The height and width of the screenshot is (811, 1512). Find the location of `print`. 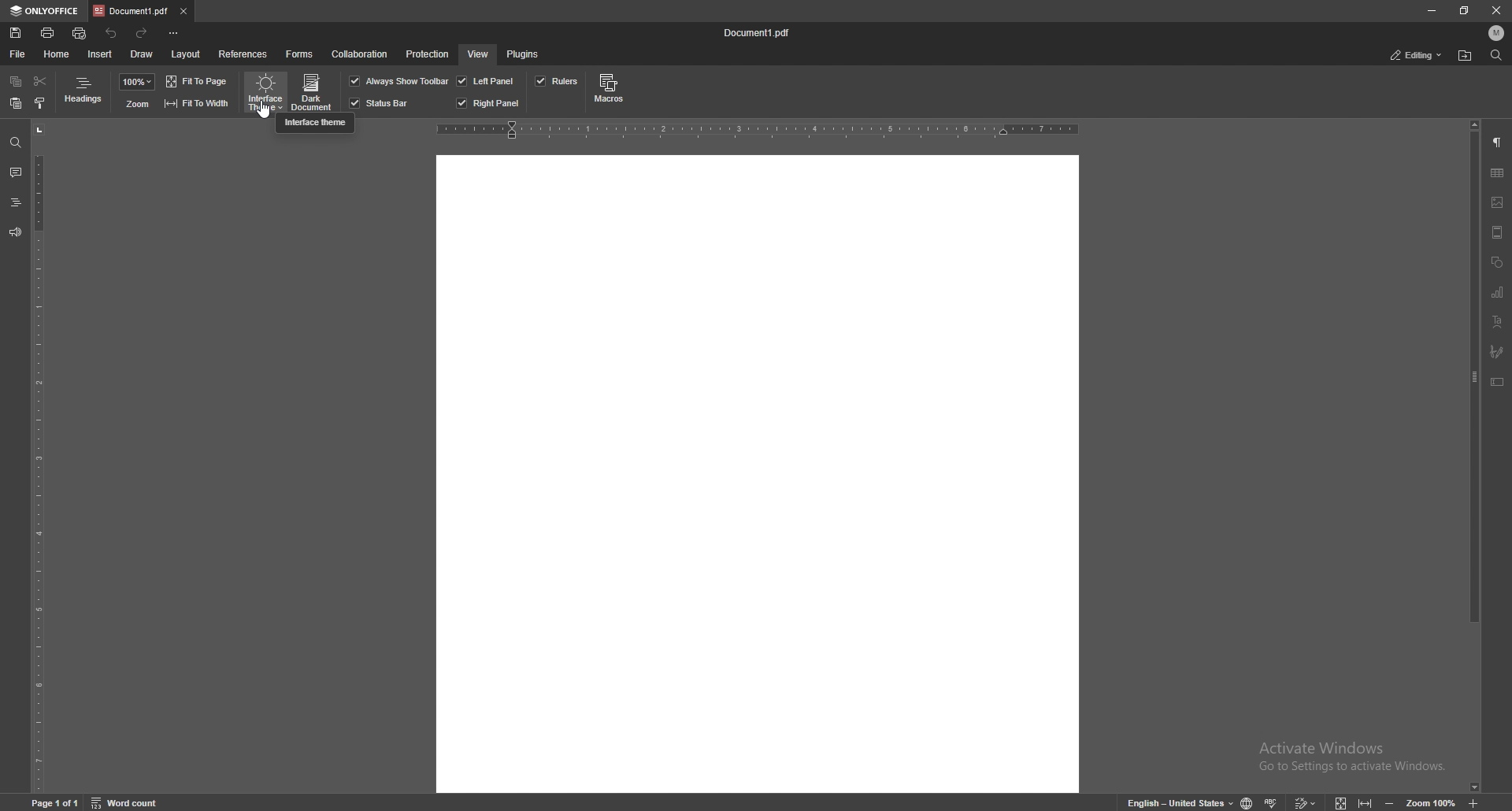

print is located at coordinates (49, 33).